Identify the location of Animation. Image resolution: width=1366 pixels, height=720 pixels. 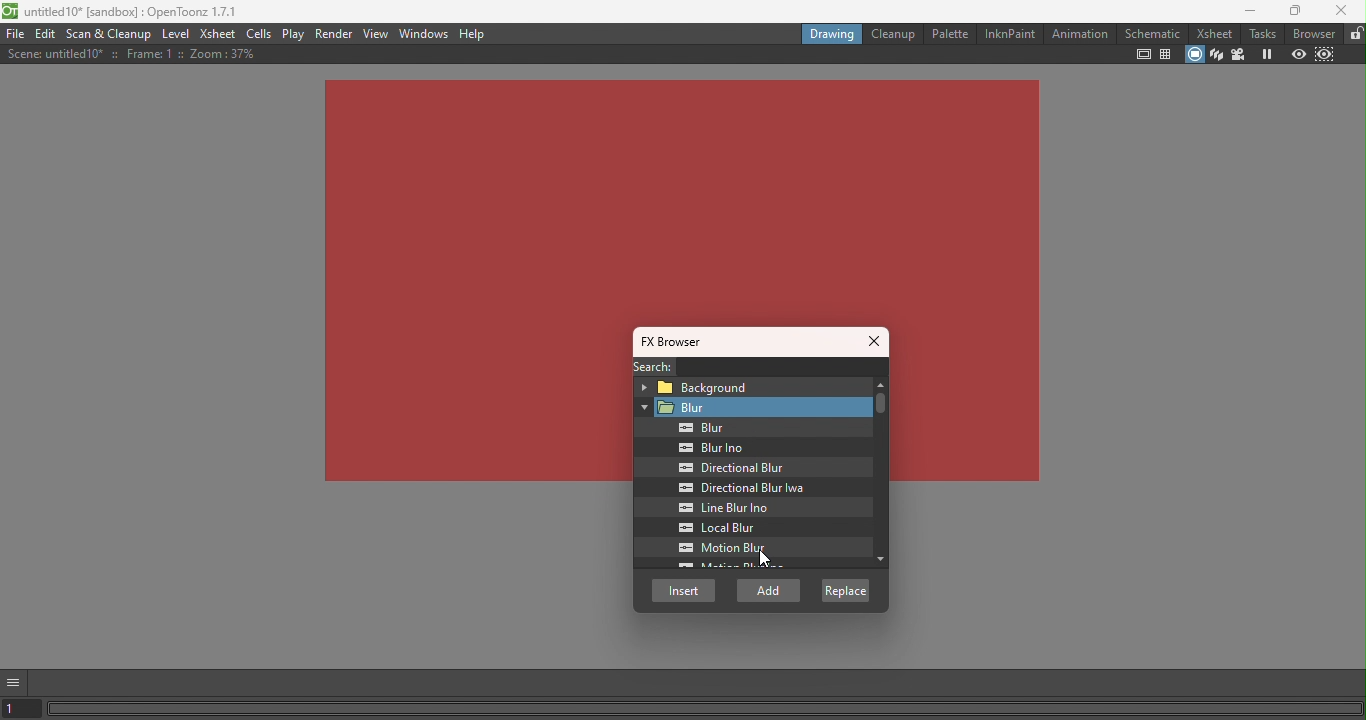
(1078, 34).